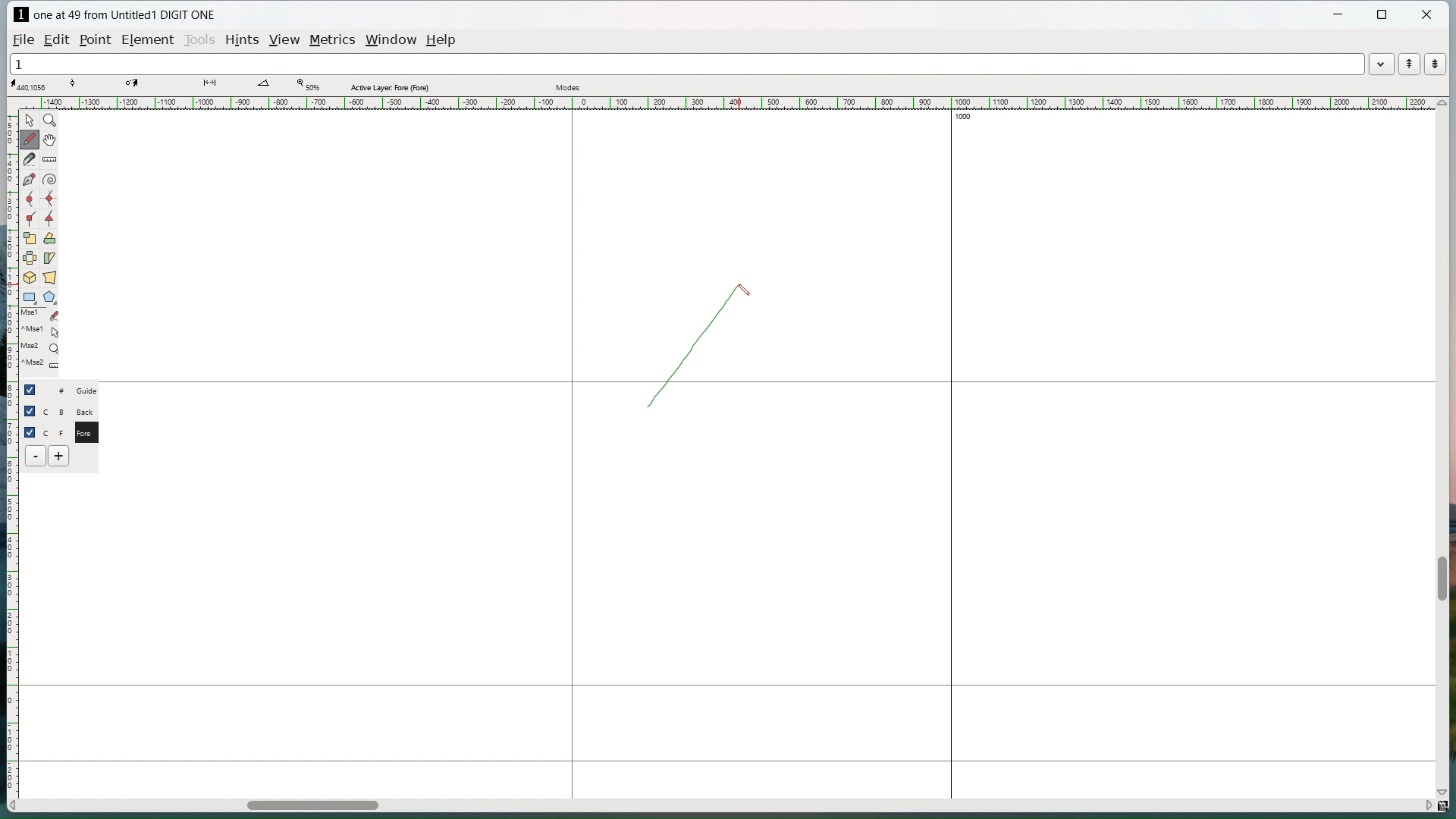 The height and width of the screenshot is (819, 1456). Describe the element at coordinates (1340, 16) in the screenshot. I see `minimize` at that location.